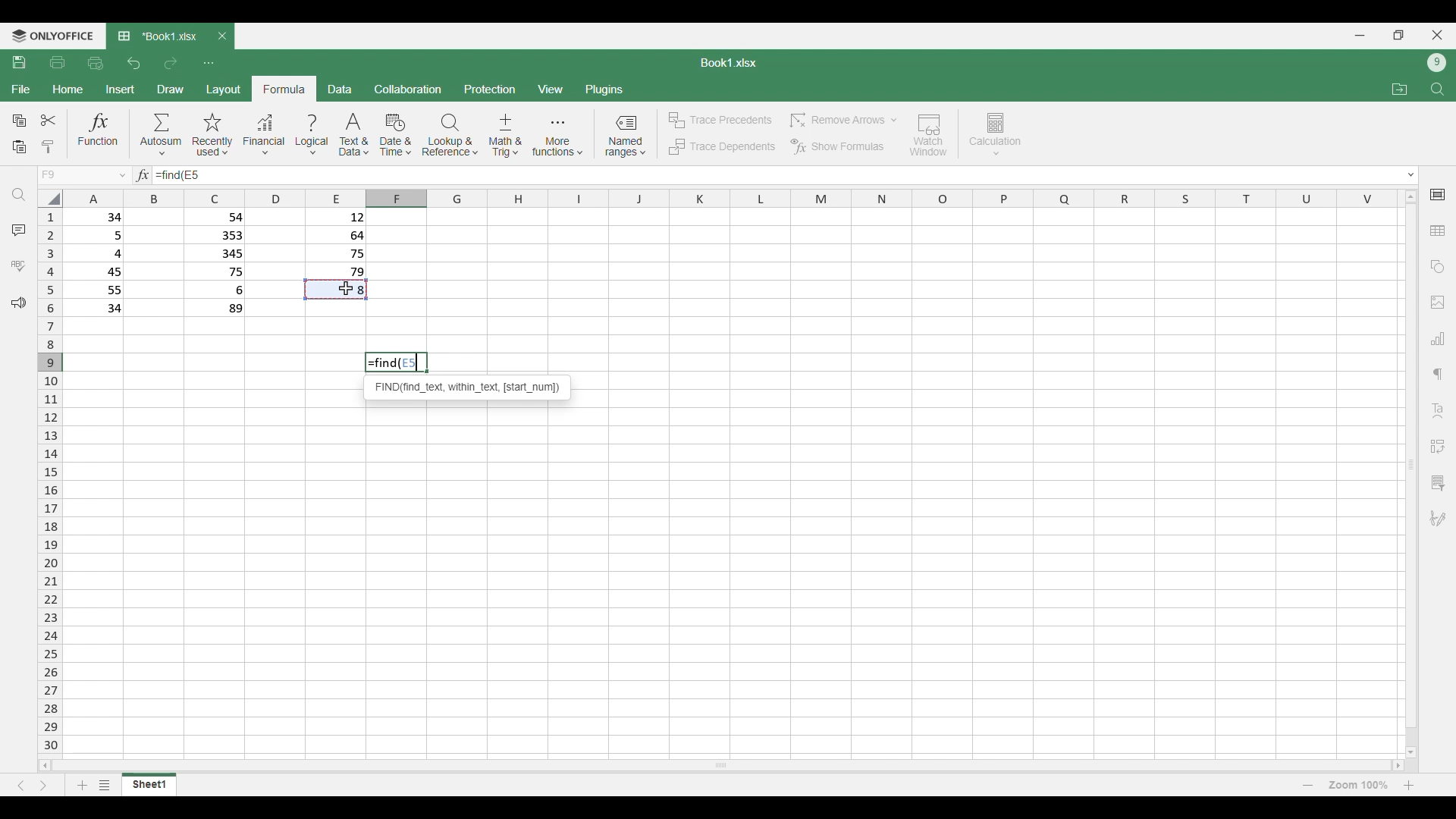 This screenshot has height=819, width=1456. What do you see at coordinates (733, 582) in the screenshot?
I see `Current set of cells` at bounding box center [733, 582].